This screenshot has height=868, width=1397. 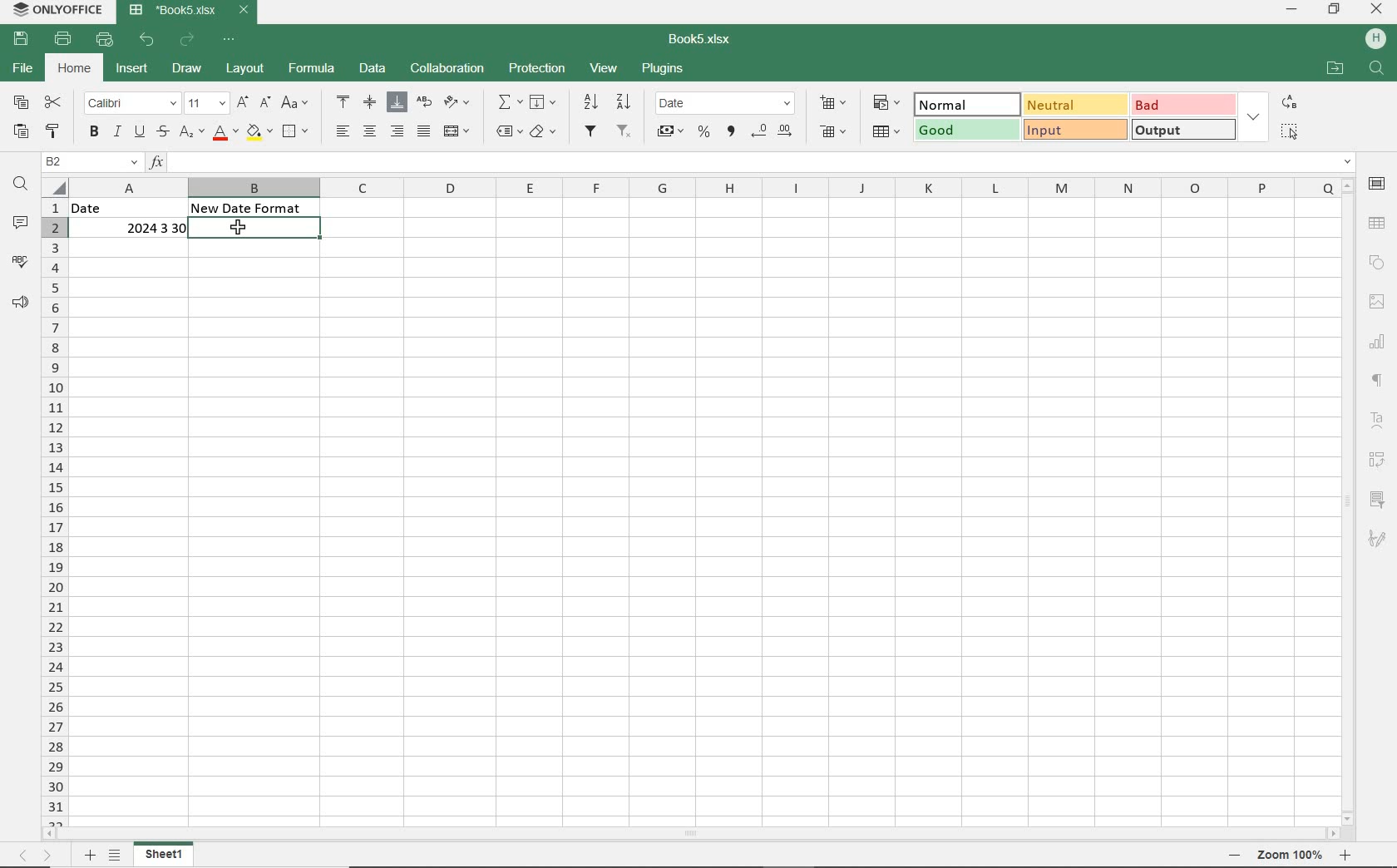 I want to click on COLLABORATION, so click(x=450, y=69).